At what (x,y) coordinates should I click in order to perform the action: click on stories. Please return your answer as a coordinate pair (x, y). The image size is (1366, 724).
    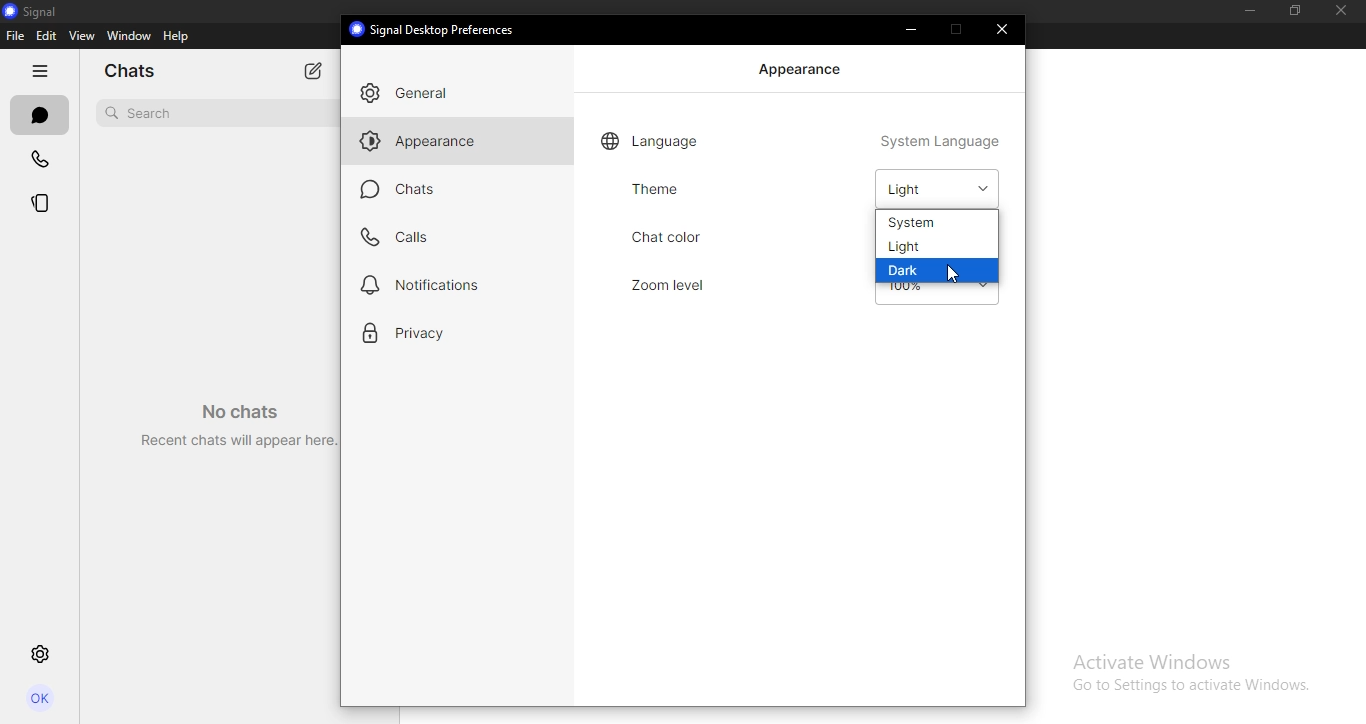
    Looking at the image, I should click on (41, 202).